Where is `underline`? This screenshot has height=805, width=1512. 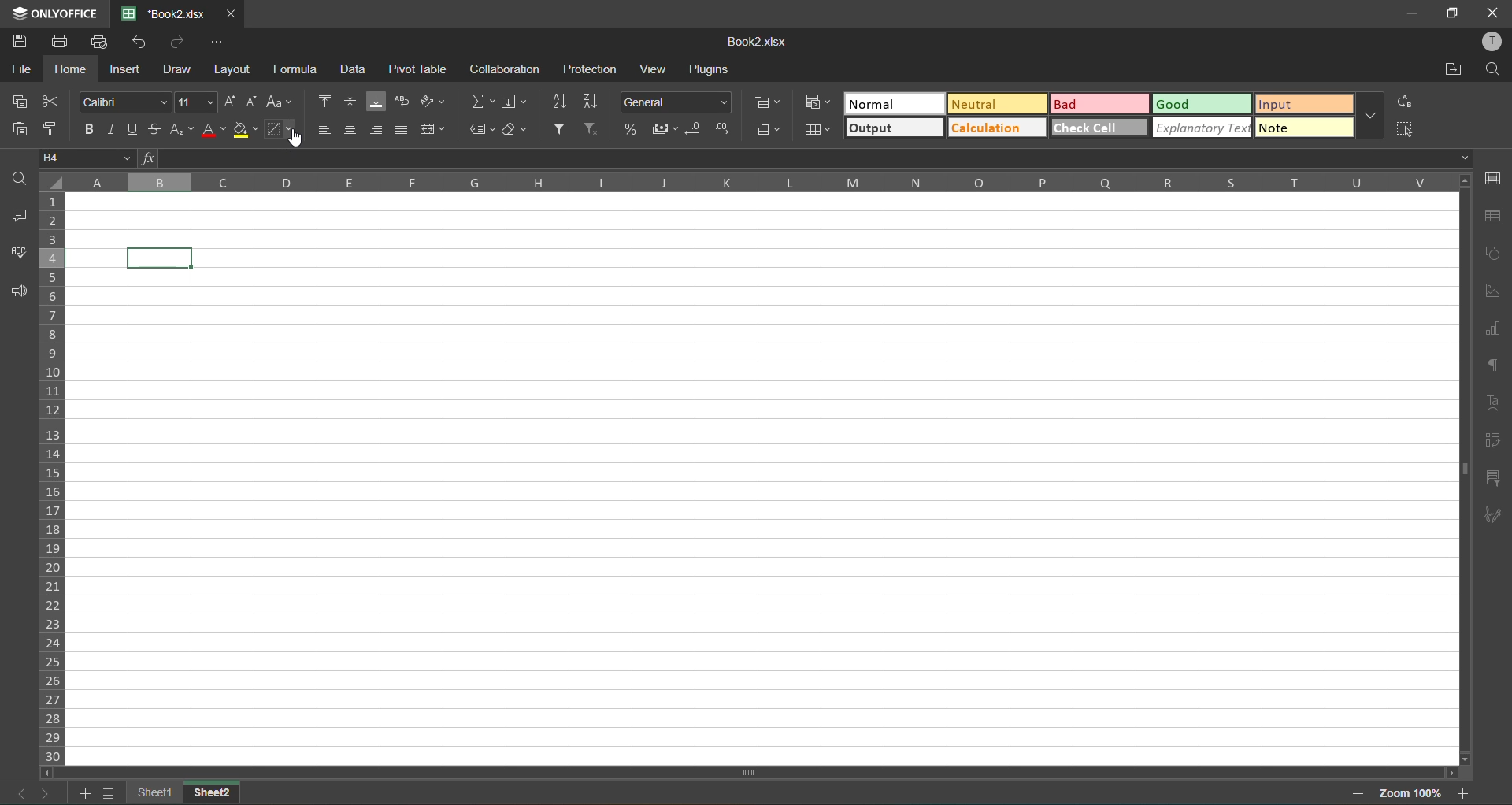 underline is located at coordinates (132, 128).